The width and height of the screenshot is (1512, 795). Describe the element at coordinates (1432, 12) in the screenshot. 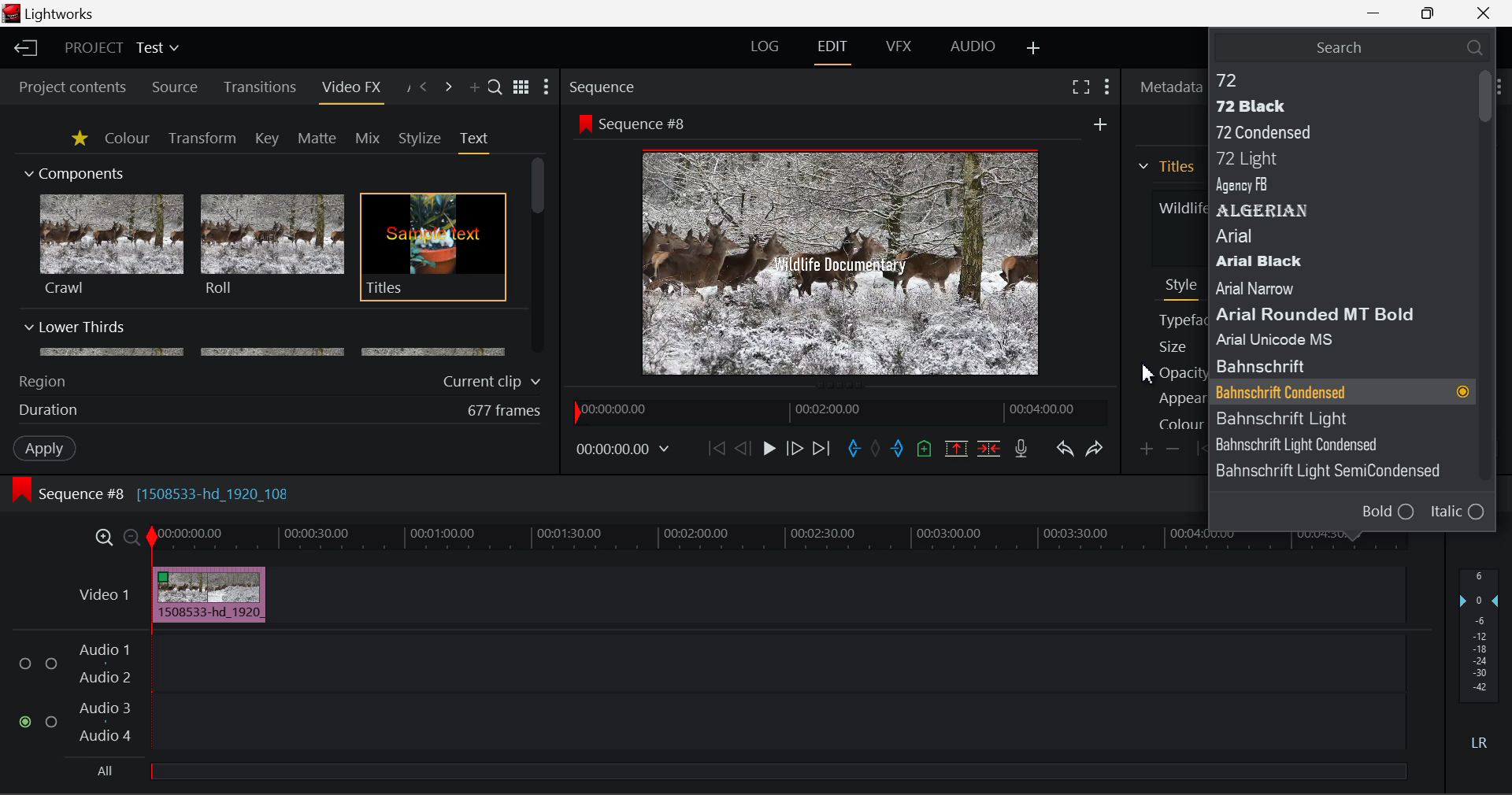

I see `Minimize` at that location.